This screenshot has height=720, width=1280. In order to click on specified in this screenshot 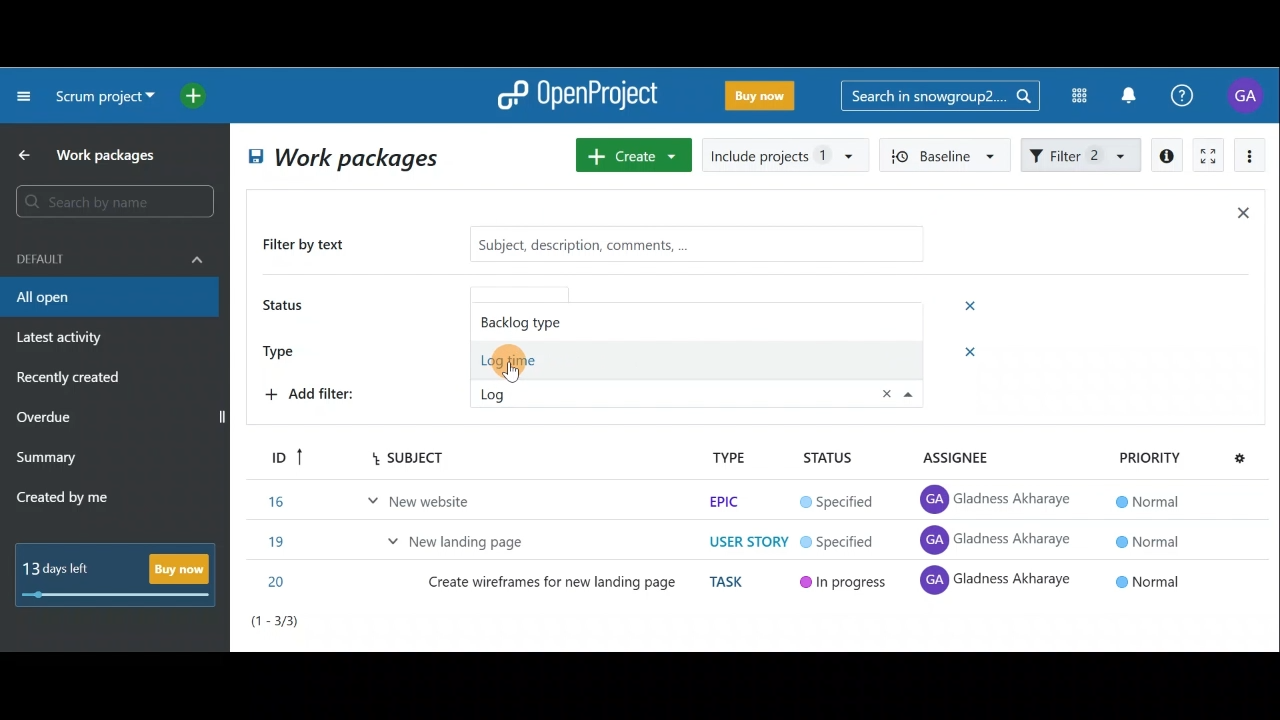, I will do `click(837, 503)`.